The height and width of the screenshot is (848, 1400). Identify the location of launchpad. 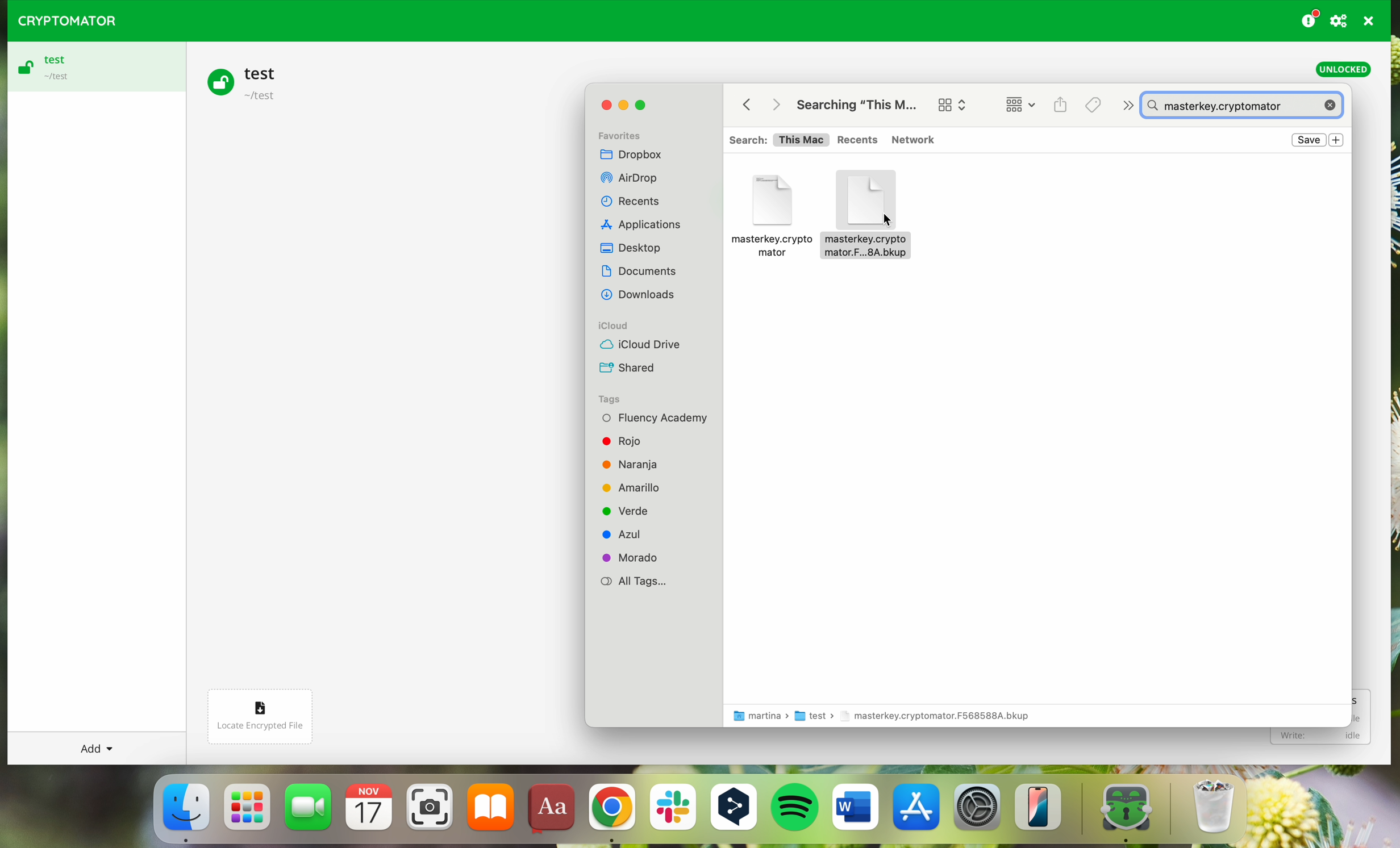
(248, 814).